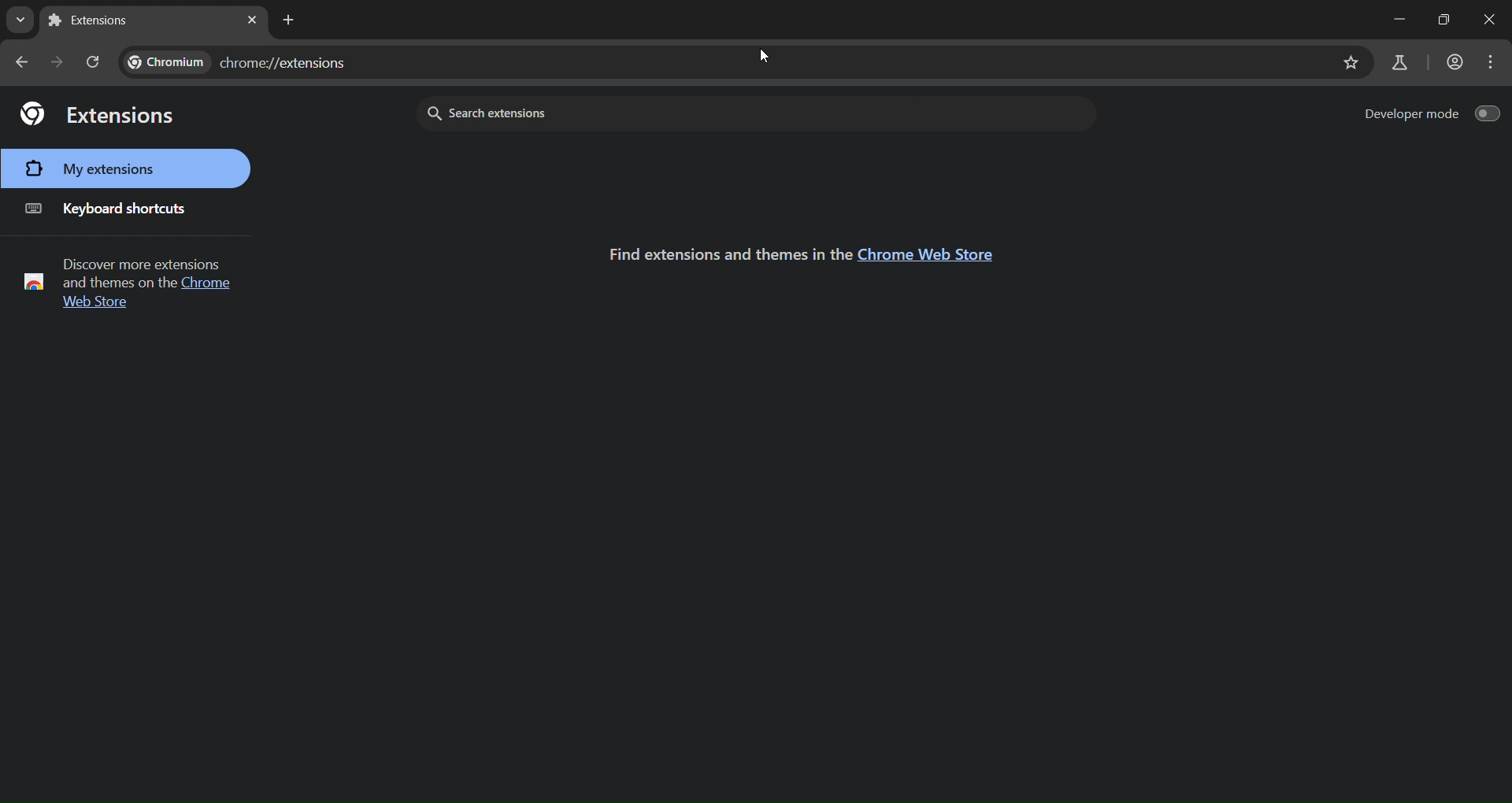 This screenshot has width=1512, height=803. I want to click on search labs, so click(1399, 62).